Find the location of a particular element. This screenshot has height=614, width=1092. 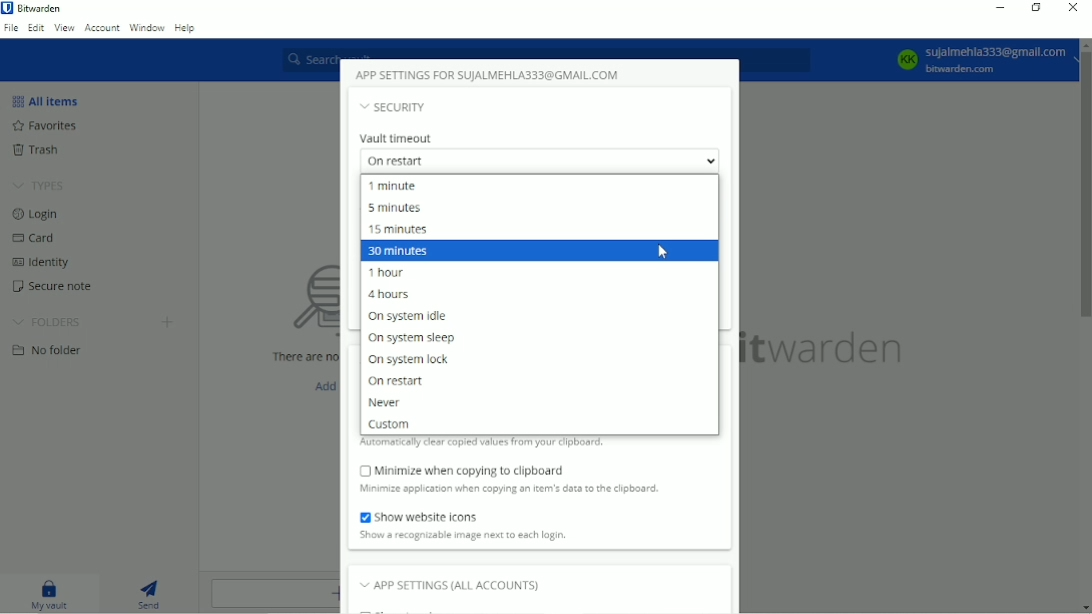

4 hours is located at coordinates (389, 294).